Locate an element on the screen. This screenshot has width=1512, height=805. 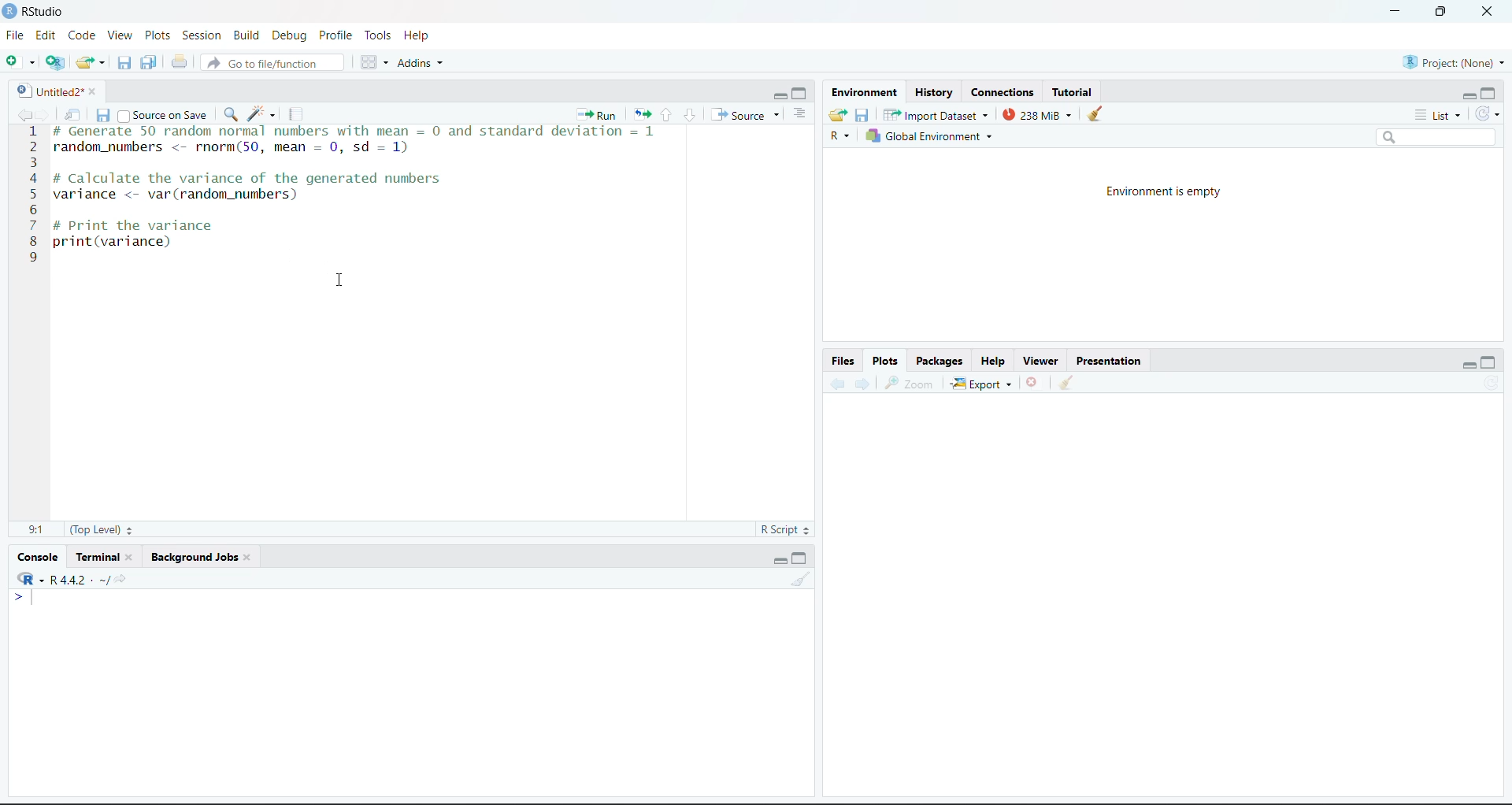
Zoom is located at coordinates (911, 384).